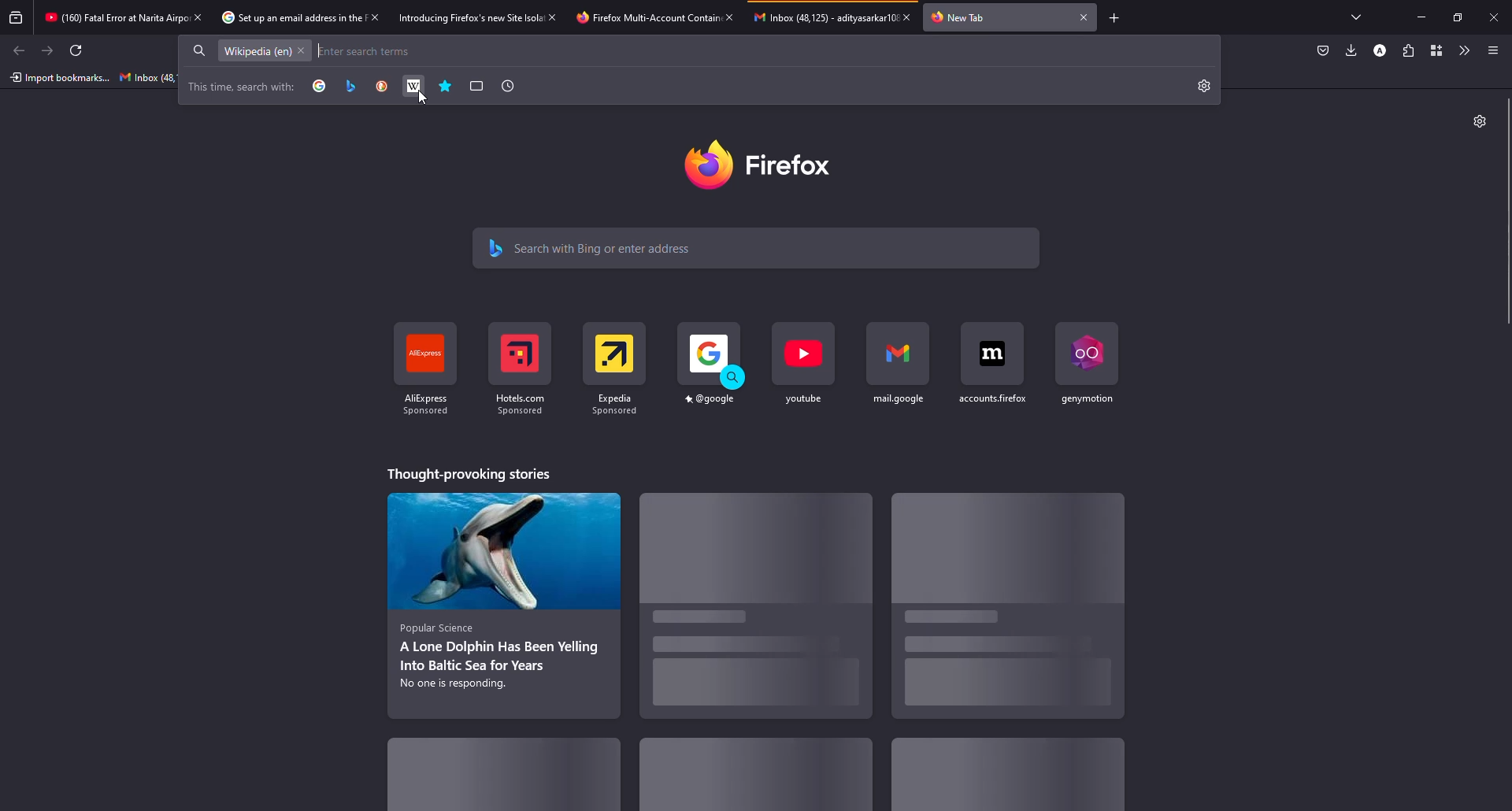  Describe the element at coordinates (764, 163) in the screenshot. I see `firefox` at that location.